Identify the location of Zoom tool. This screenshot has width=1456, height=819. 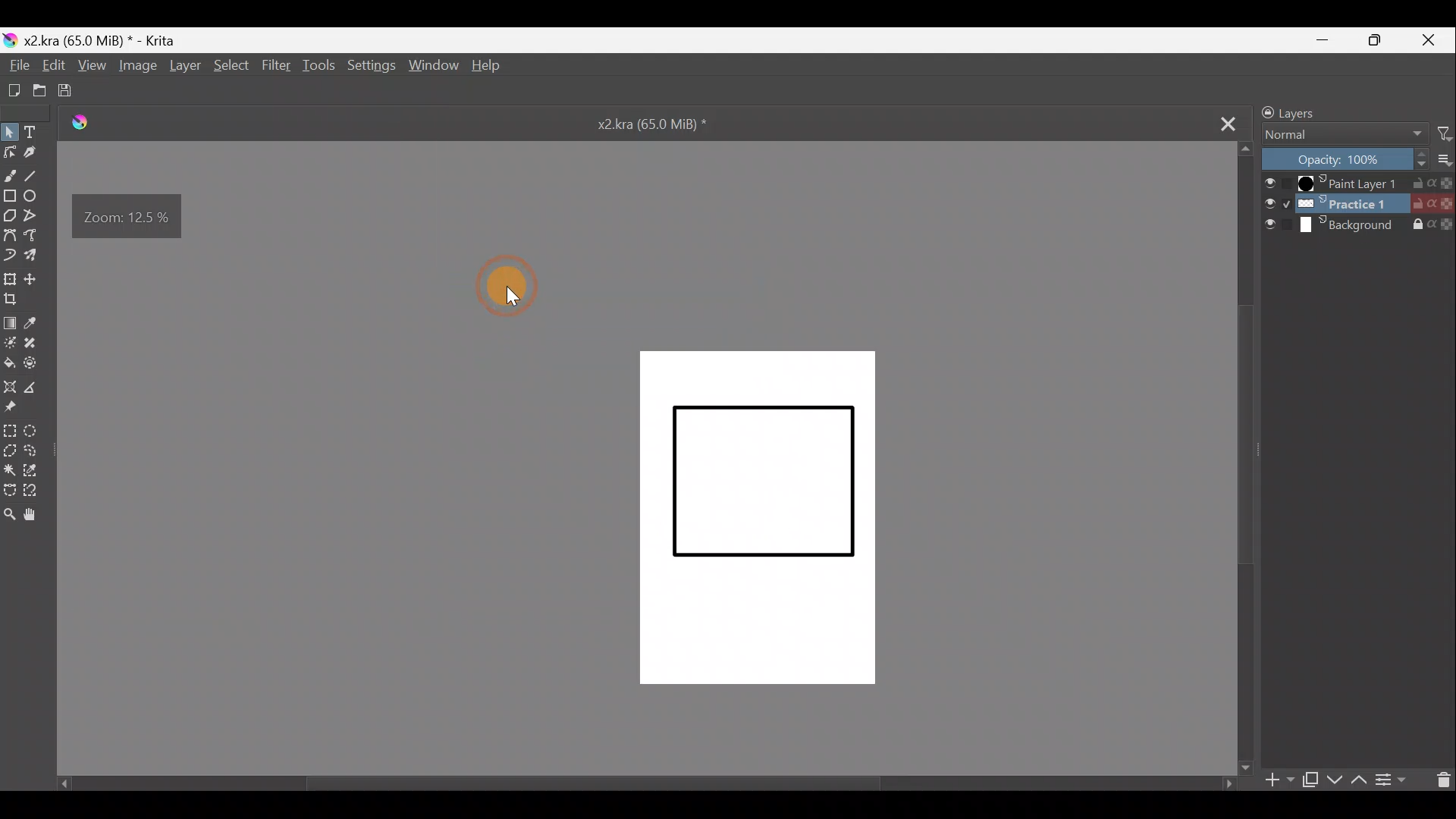
(9, 516).